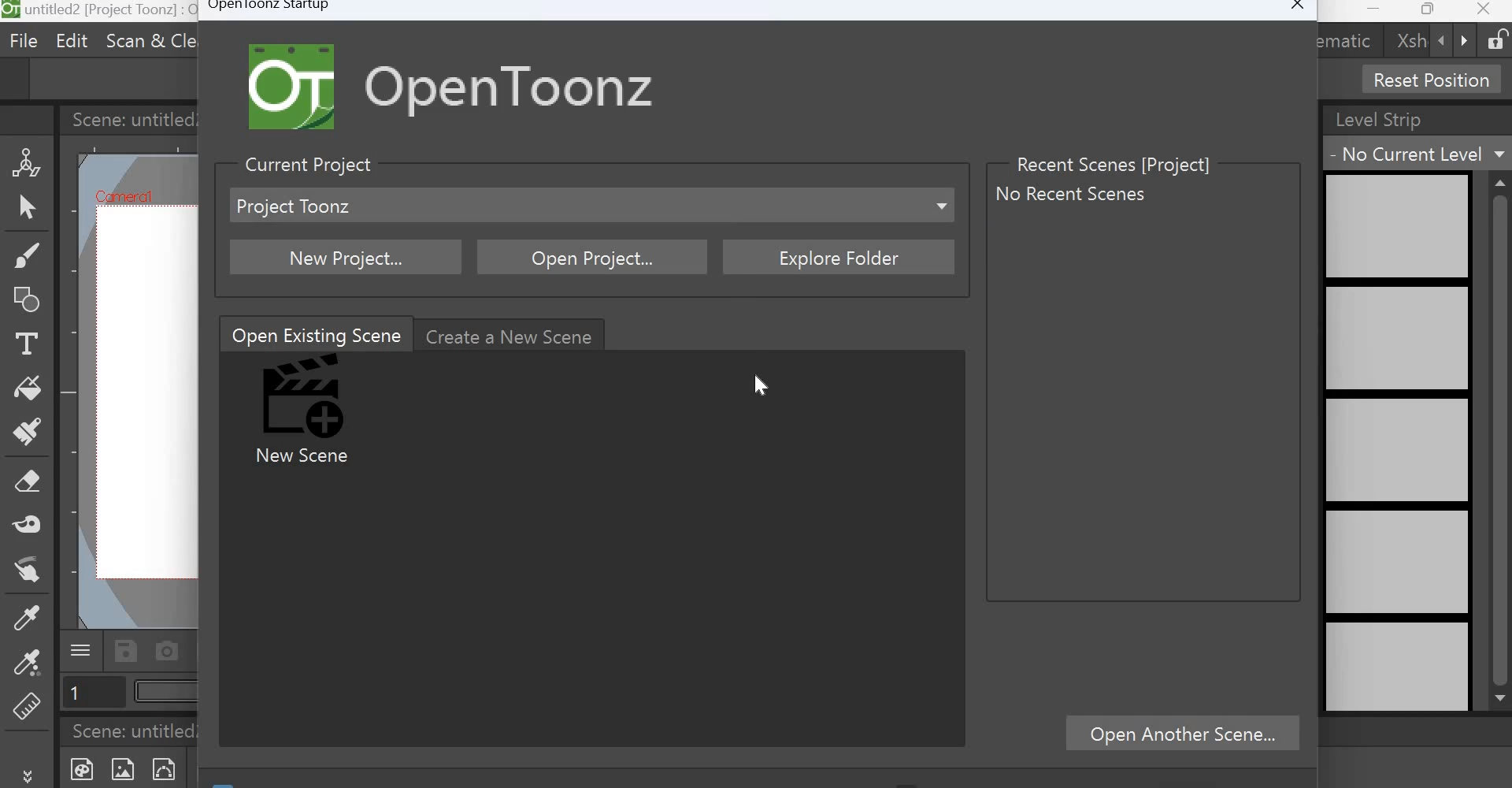 This screenshot has width=1512, height=788. I want to click on Cafniercil, so click(120, 195).